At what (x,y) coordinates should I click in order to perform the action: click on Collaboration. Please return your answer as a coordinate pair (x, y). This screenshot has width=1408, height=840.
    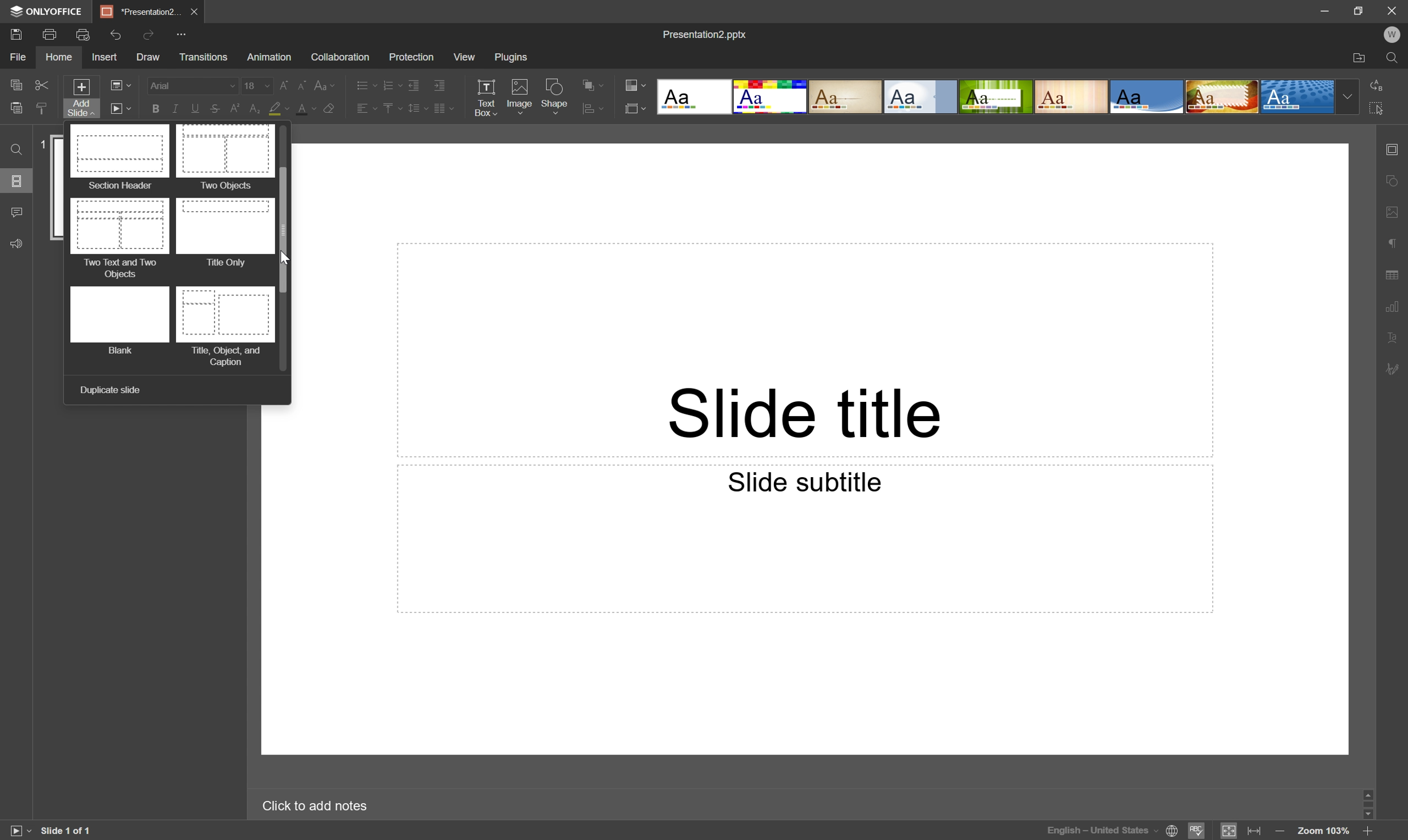
    Looking at the image, I should click on (341, 57).